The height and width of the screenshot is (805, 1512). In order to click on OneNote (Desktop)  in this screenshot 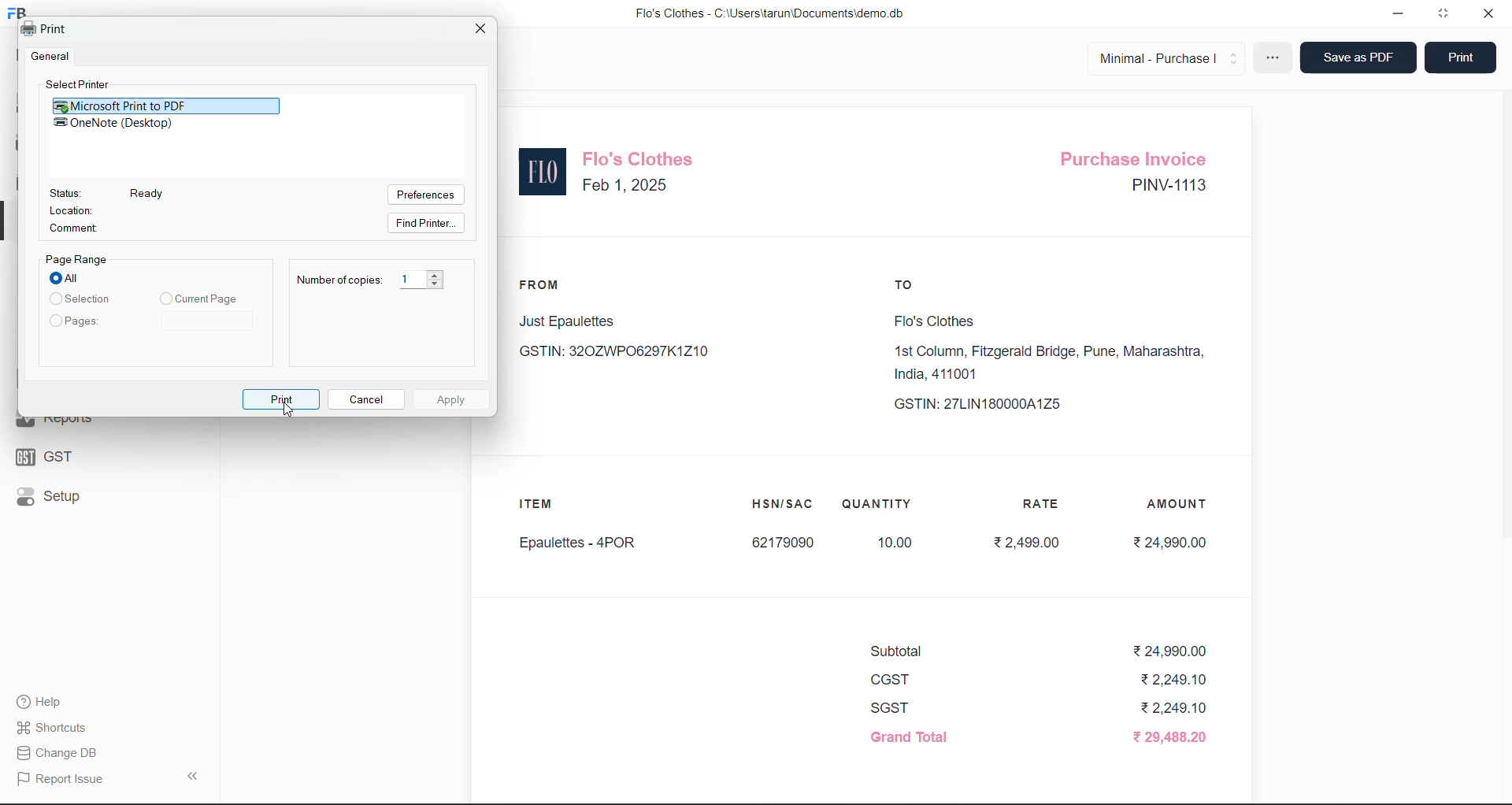, I will do `click(125, 123)`.